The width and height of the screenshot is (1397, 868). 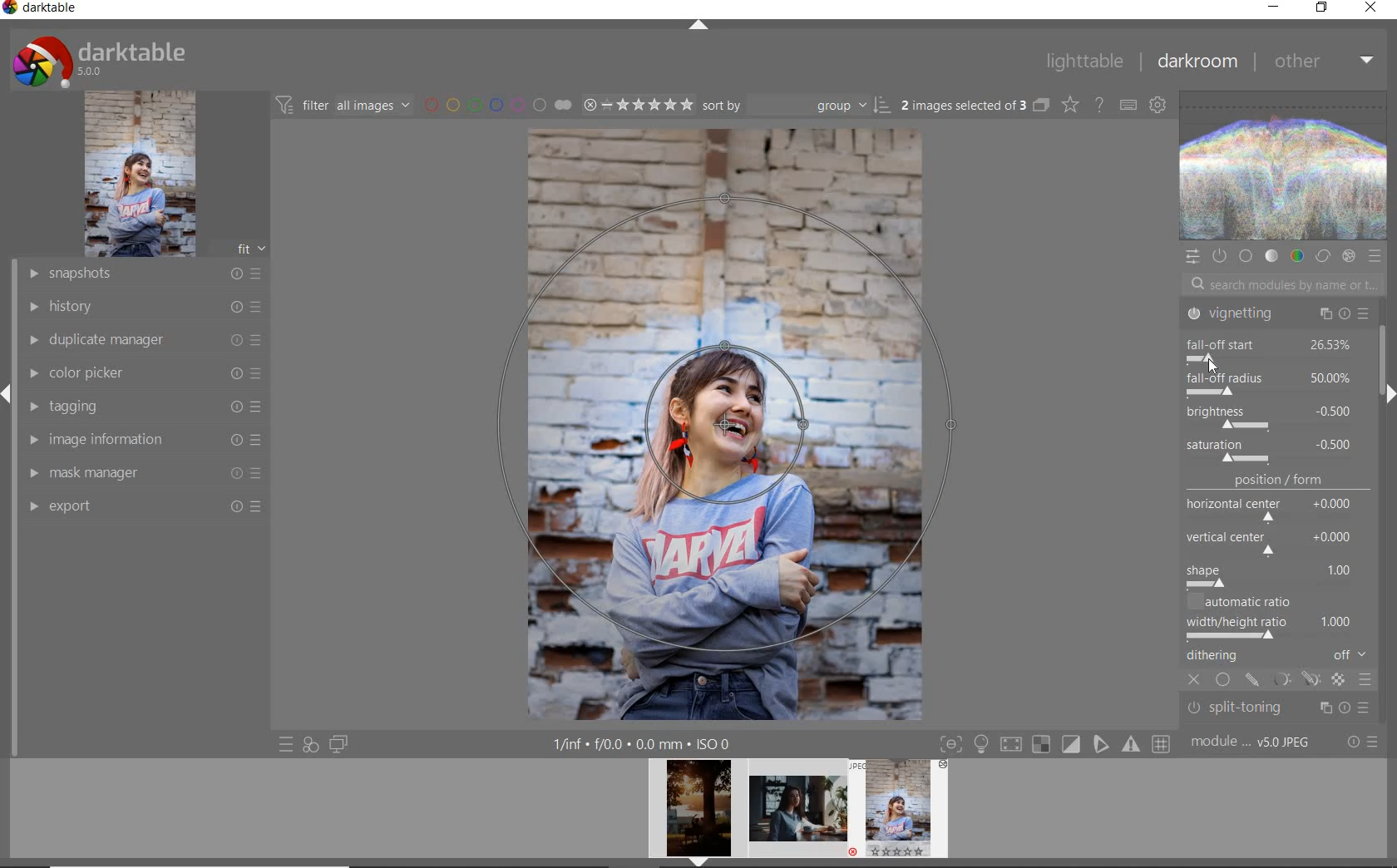 I want to click on preset, so click(x=1375, y=256).